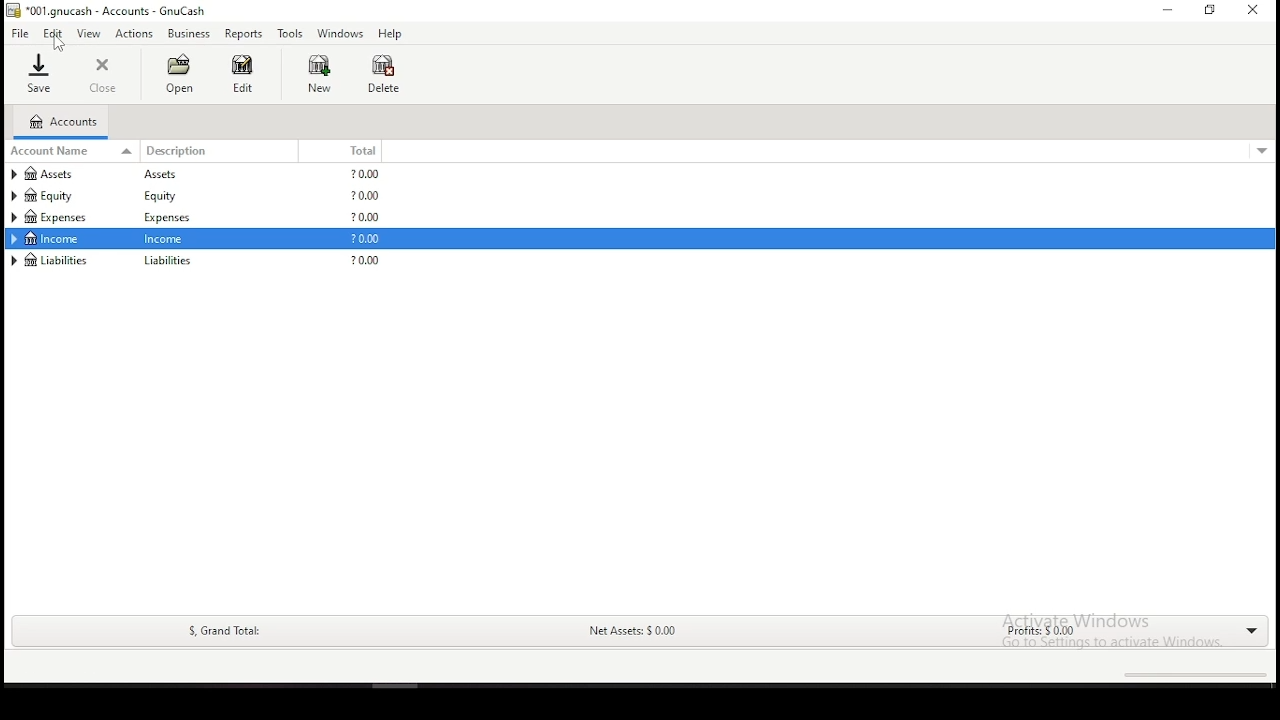 The image size is (1280, 720). What do you see at coordinates (52, 260) in the screenshot?
I see `liabilities` at bounding box center [52, 260].